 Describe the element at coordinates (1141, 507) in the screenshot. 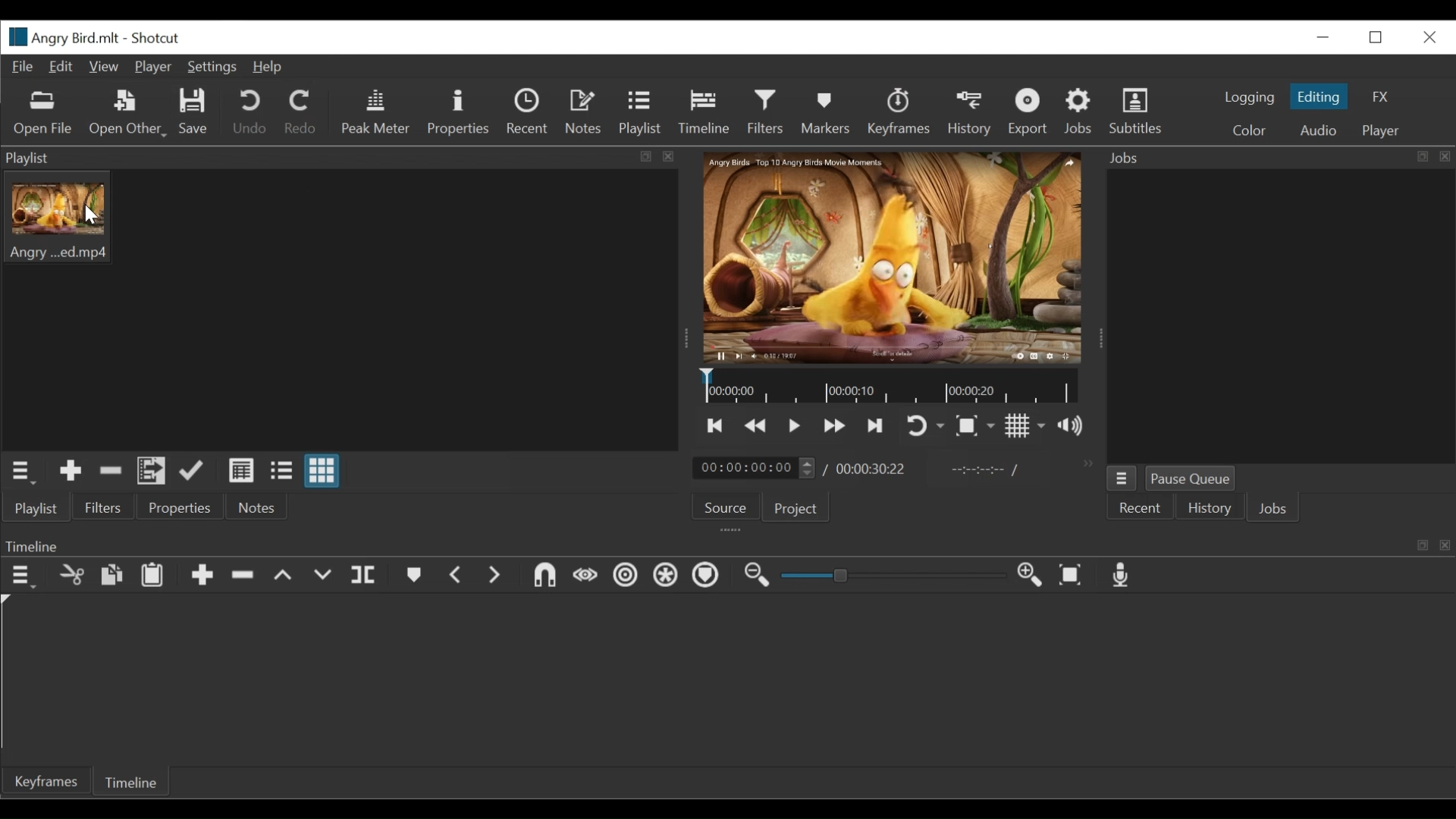

I see `Recent` at that location.